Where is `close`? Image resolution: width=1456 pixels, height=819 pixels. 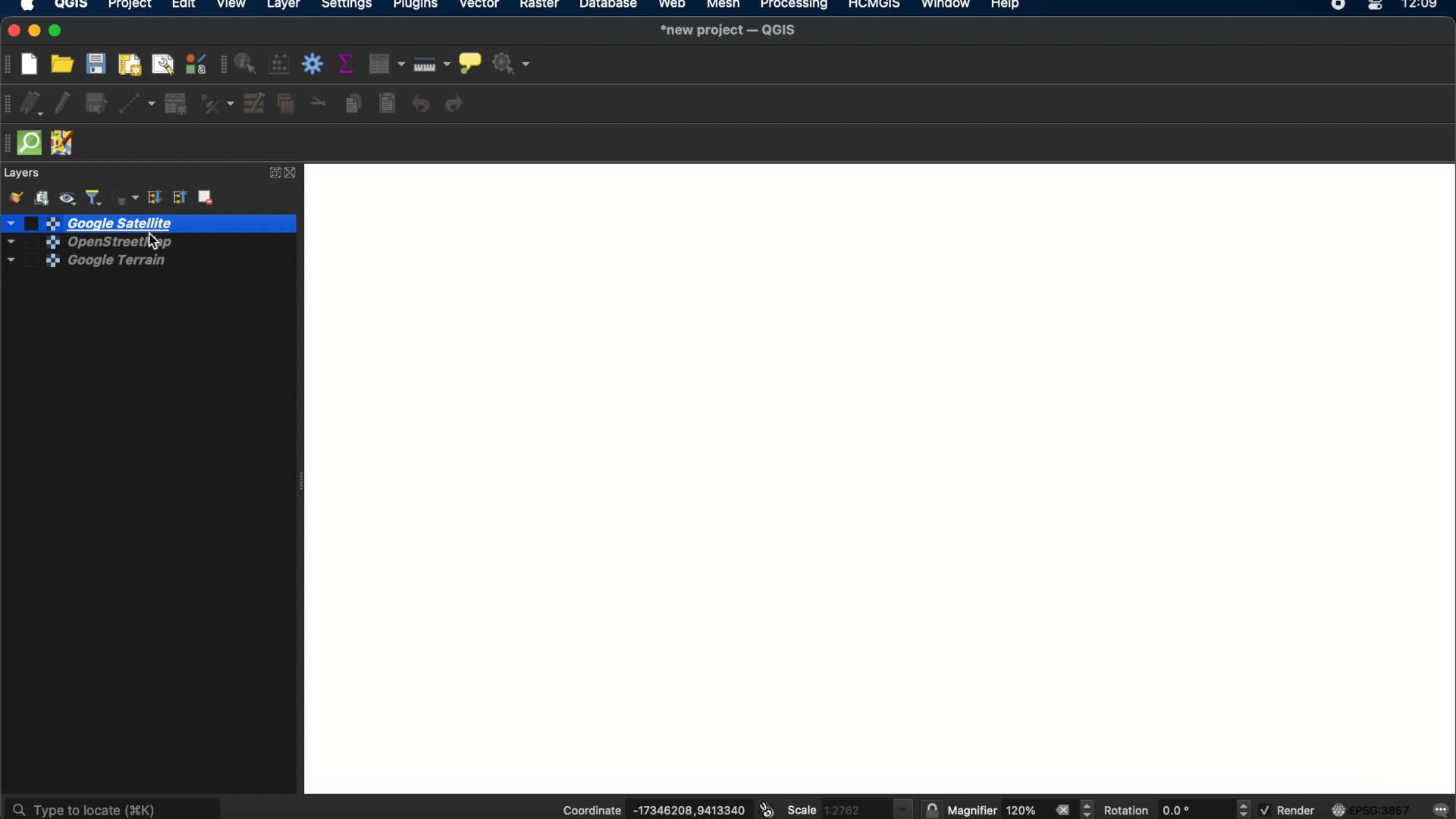
close is located at coordinates (11, 31).